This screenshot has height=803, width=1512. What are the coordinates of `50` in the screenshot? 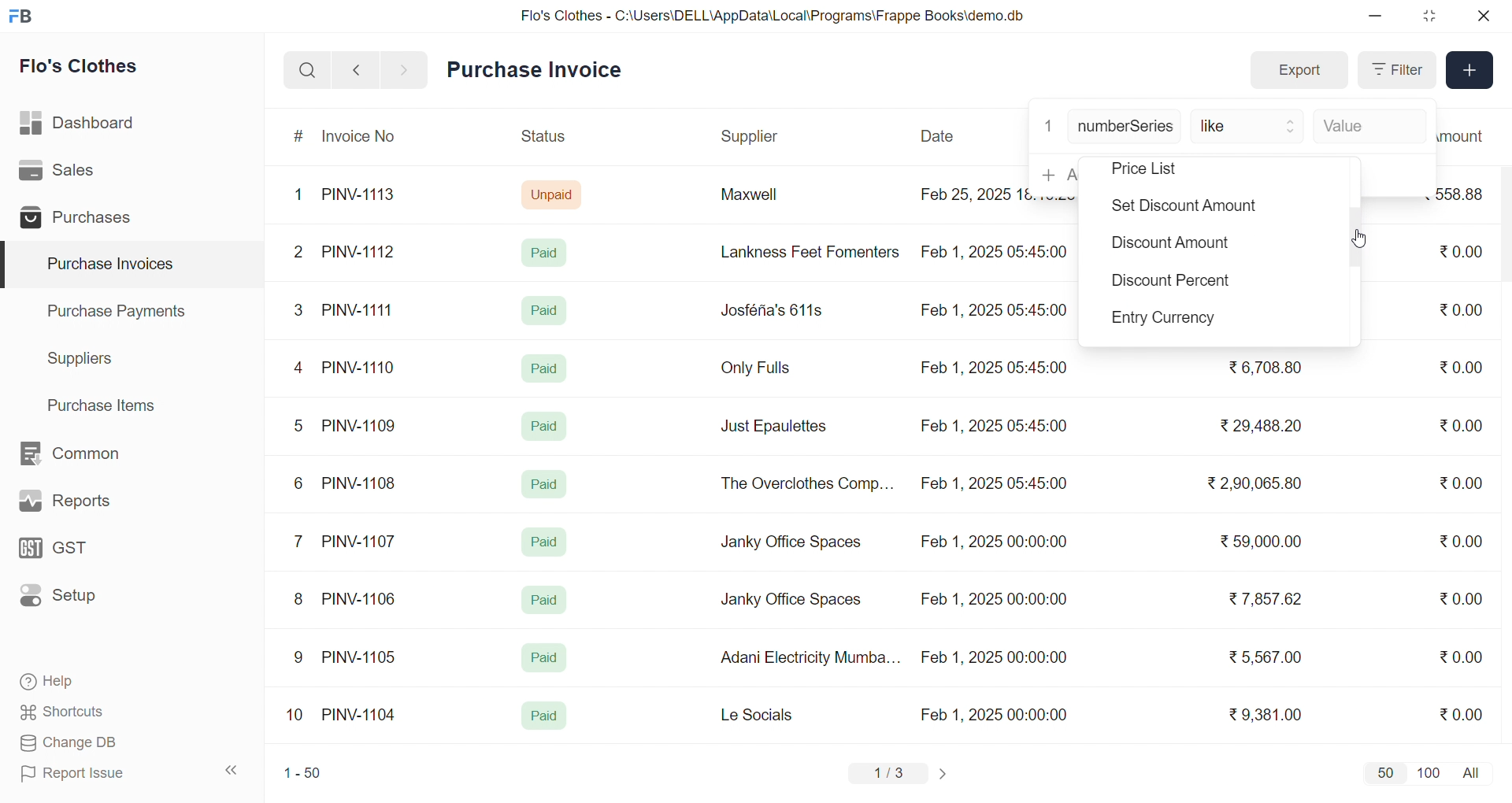 It's located at (1384, 772).